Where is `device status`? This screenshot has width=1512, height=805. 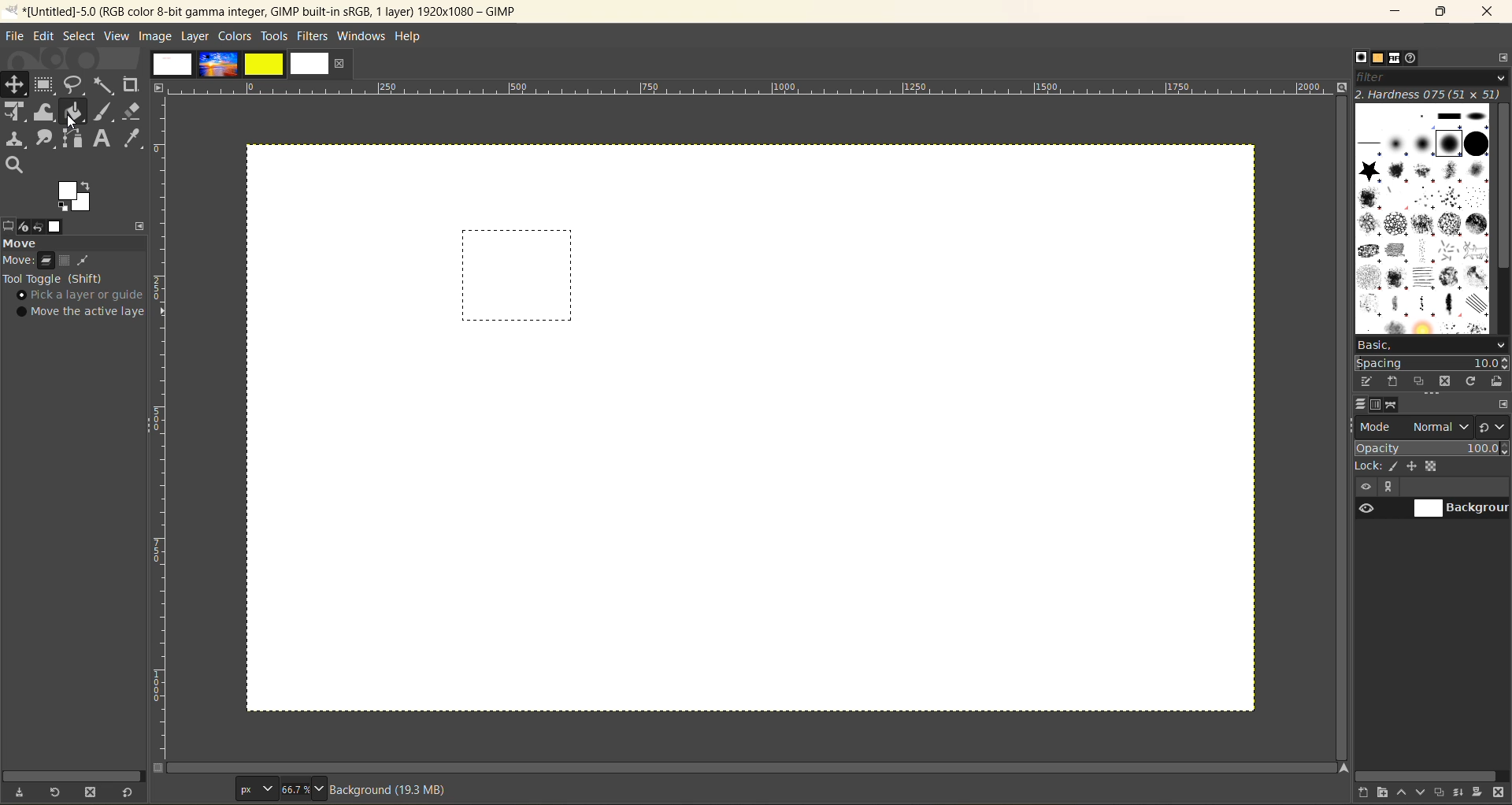
device status is located at coordinates (19, 227).